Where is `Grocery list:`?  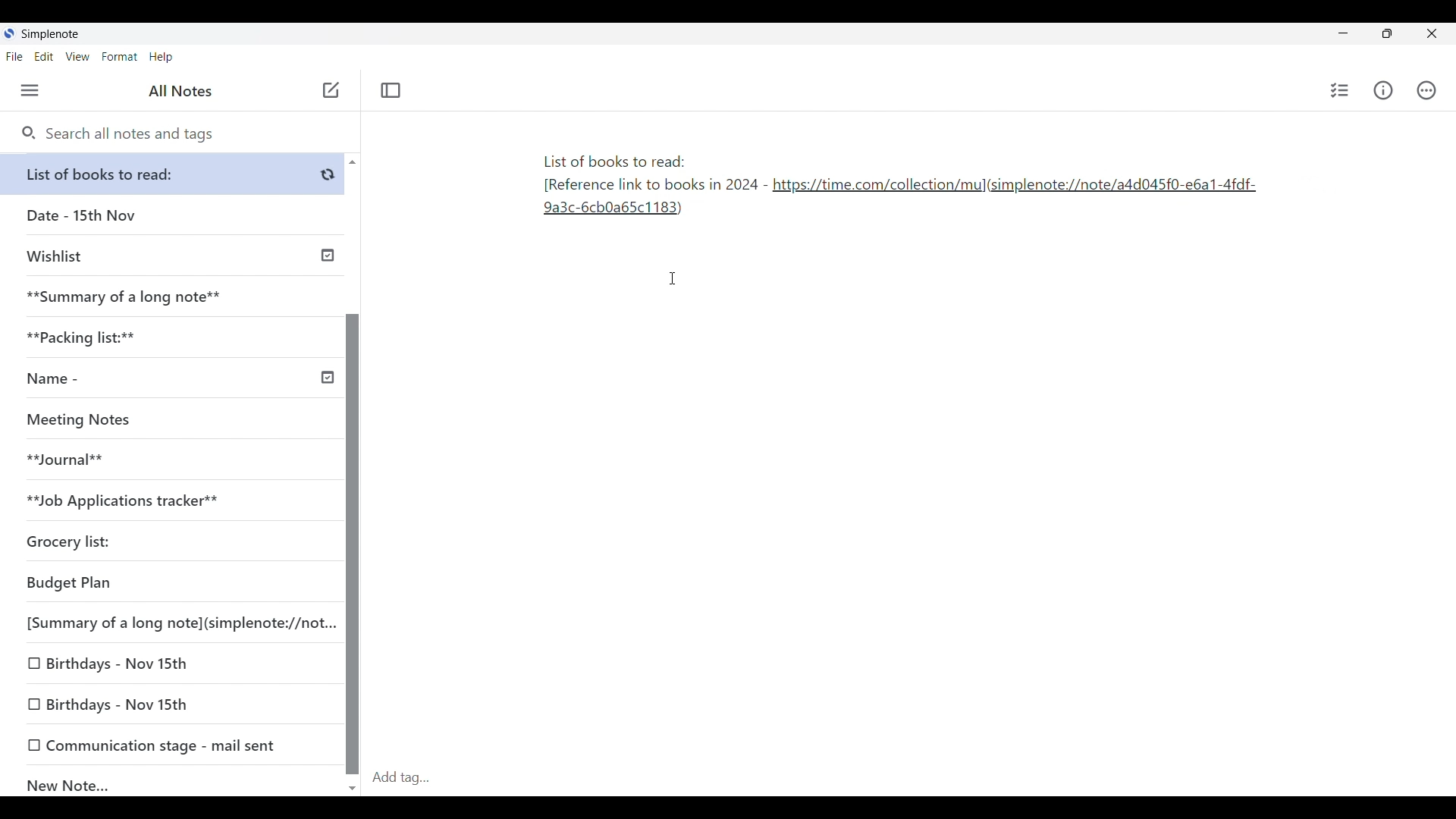 Grocery list: is located at coordinates (167, 544).